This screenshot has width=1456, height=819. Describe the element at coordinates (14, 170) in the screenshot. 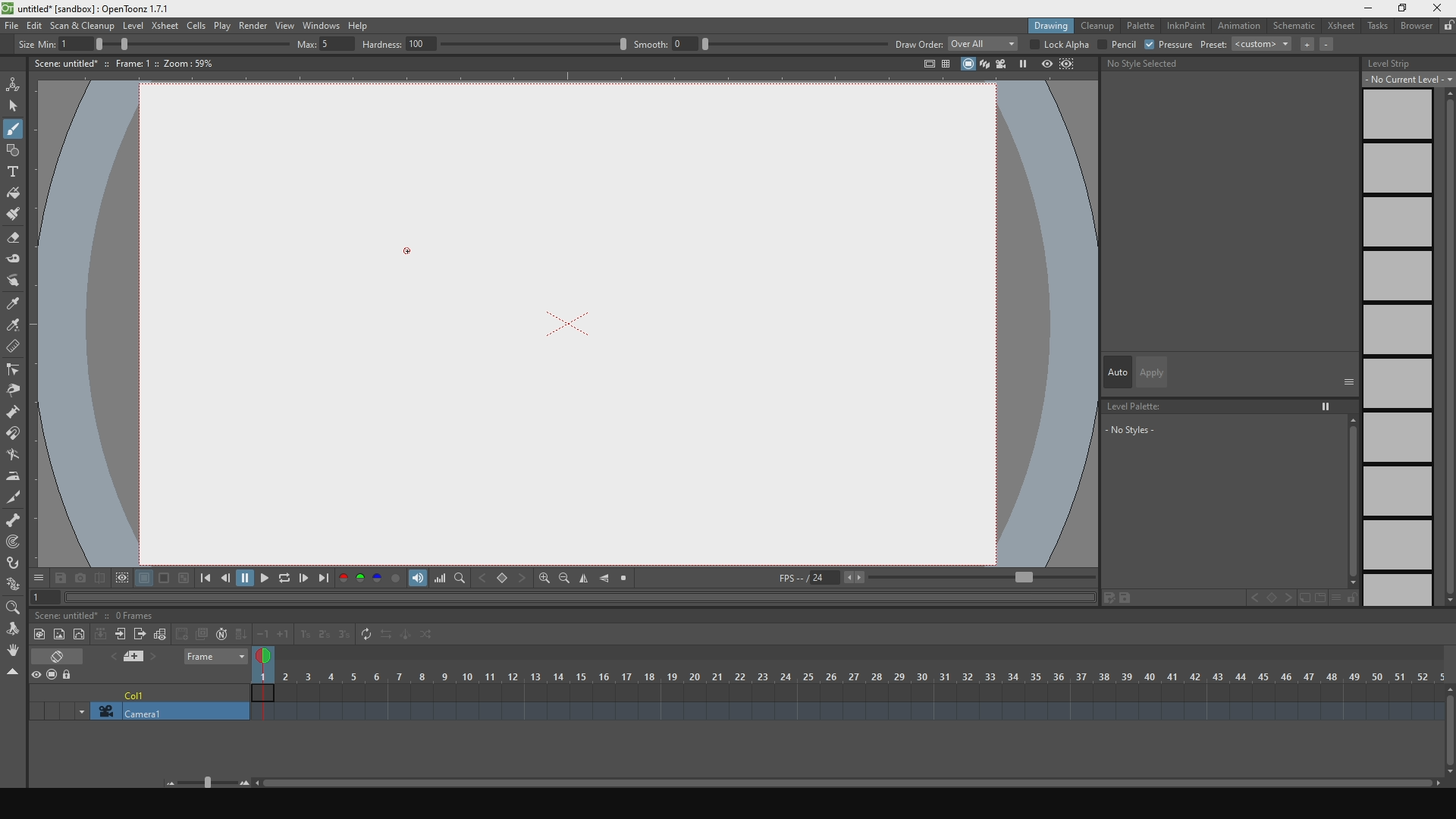

I see `text` at that location.